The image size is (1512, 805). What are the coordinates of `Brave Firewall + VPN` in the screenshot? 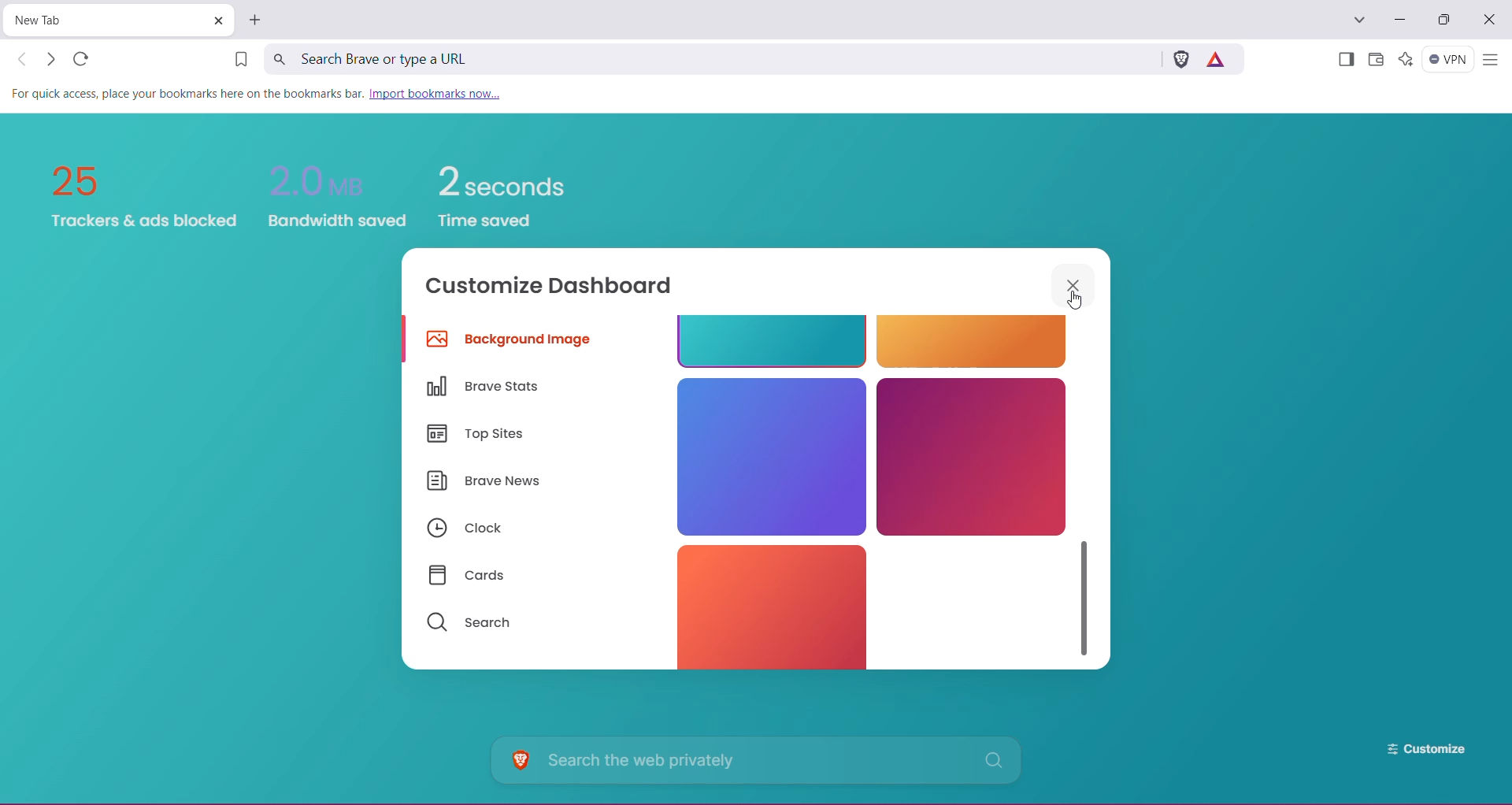 It's located at (1448, 59).